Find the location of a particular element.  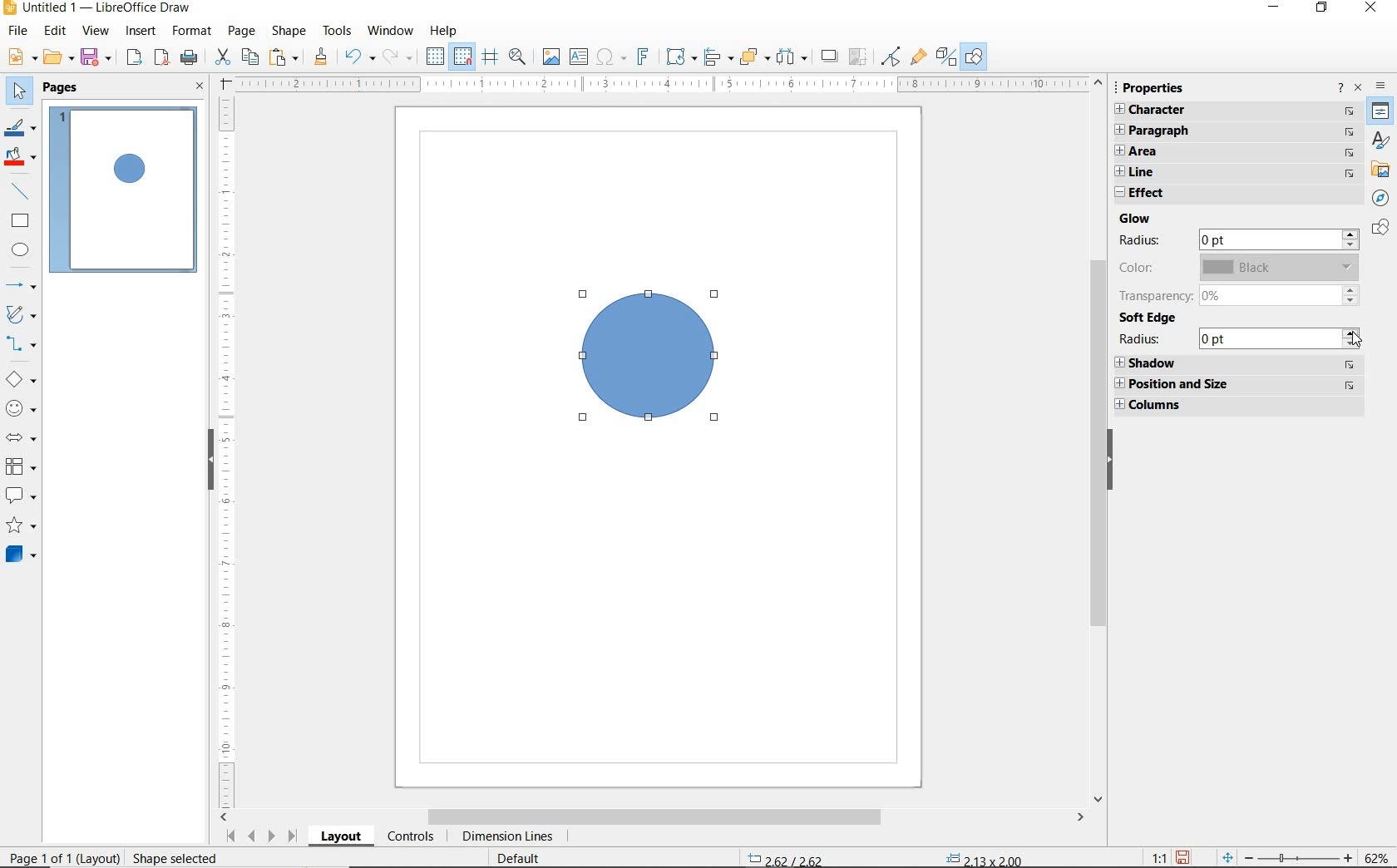

BASIC SHAPES is located at coordinates (23, 378).